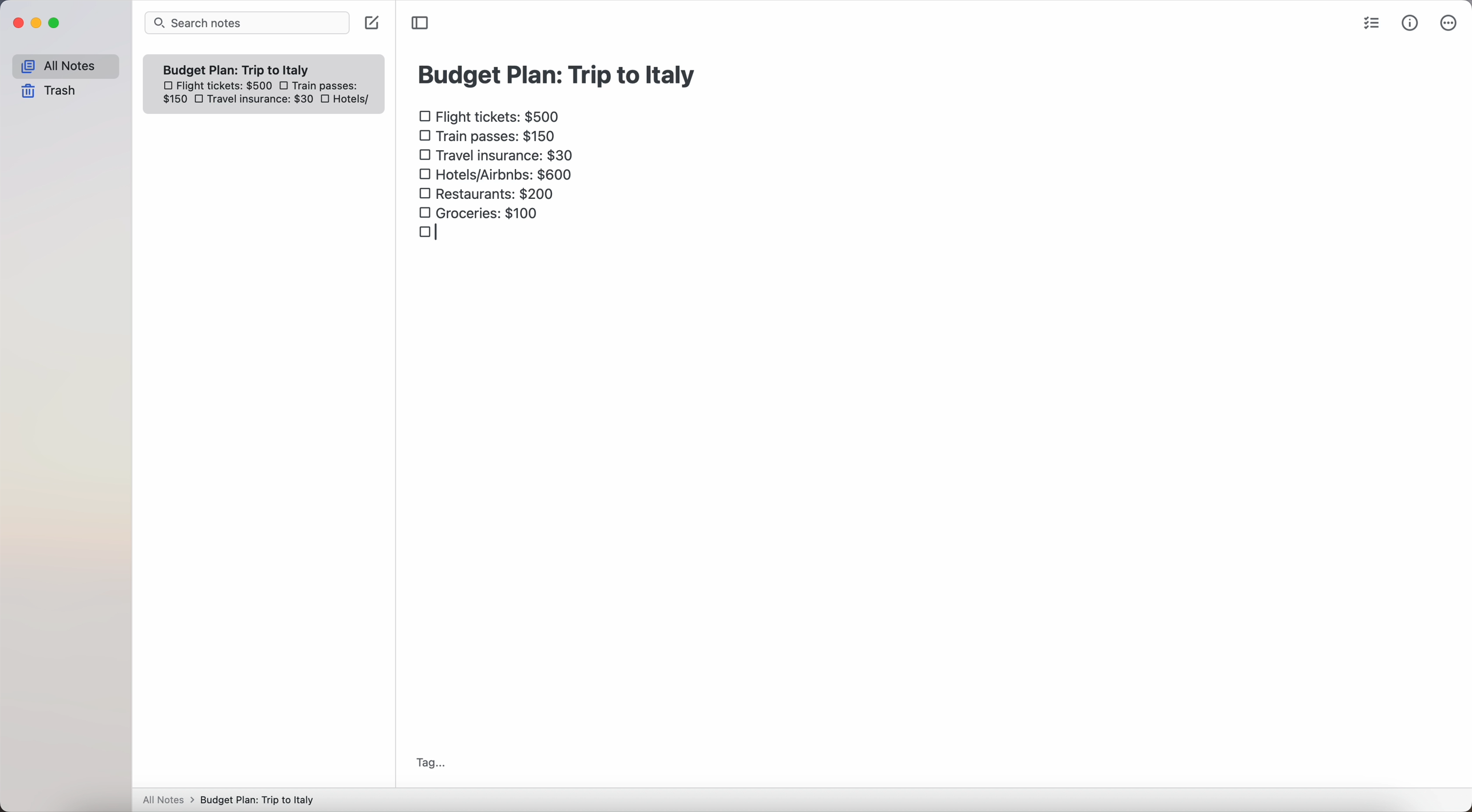  Describe the element at coordinates (18, 23) in the screenshot. I see `close Simplenote` at that location.